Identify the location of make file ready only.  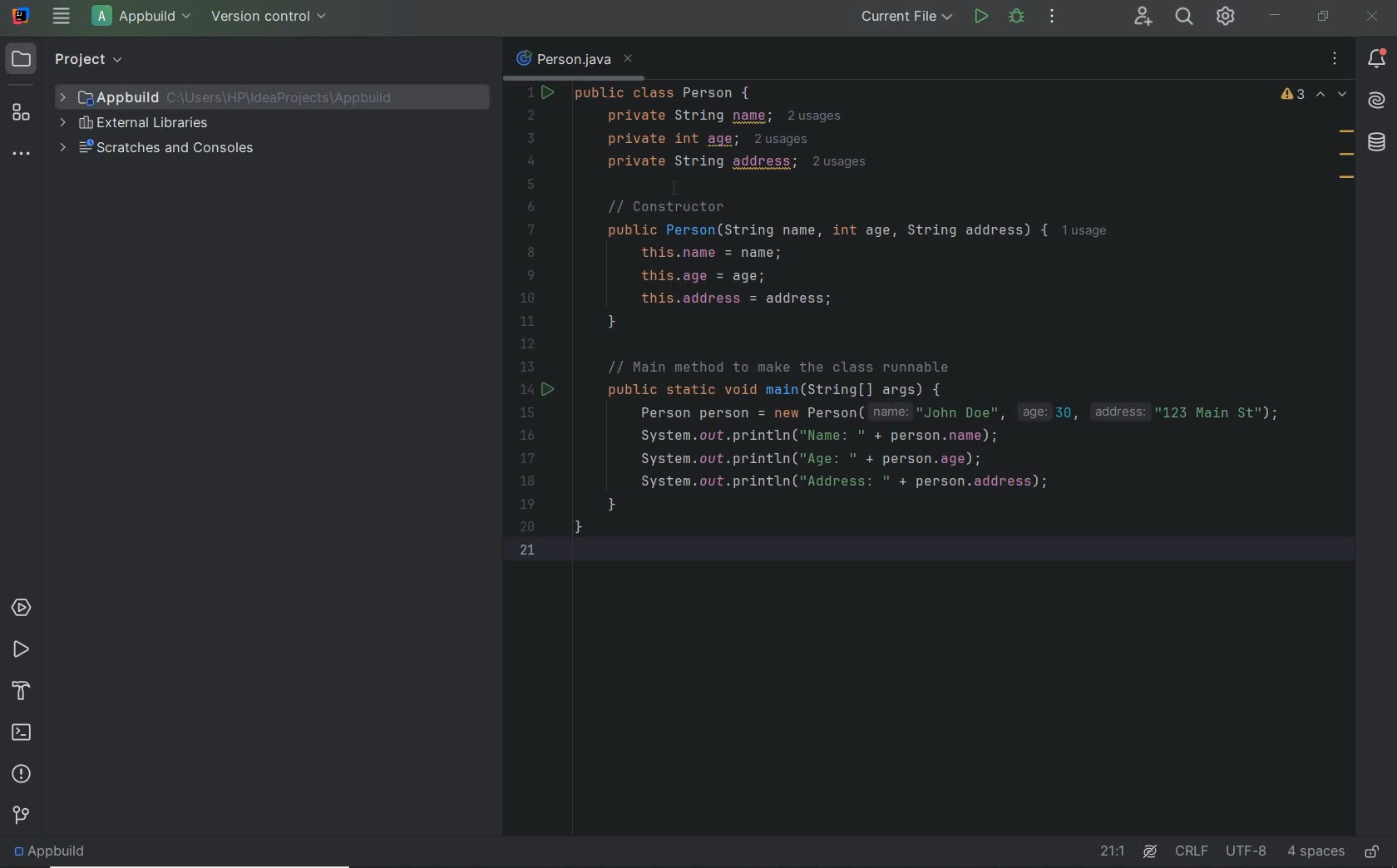
(1375, 854).